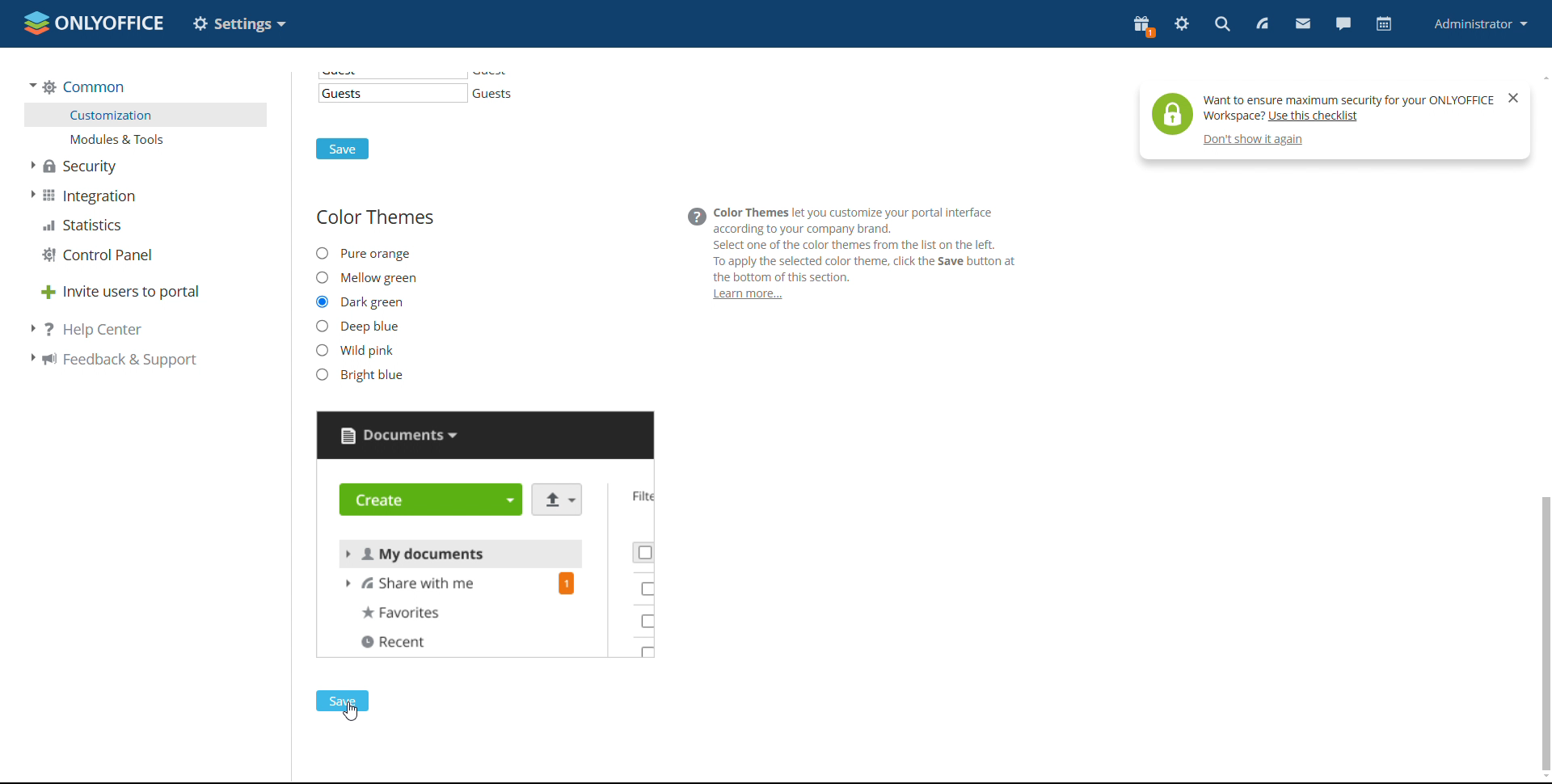 The image size is (1552, 784). I want to click on modules and tools, so click(147, 139).